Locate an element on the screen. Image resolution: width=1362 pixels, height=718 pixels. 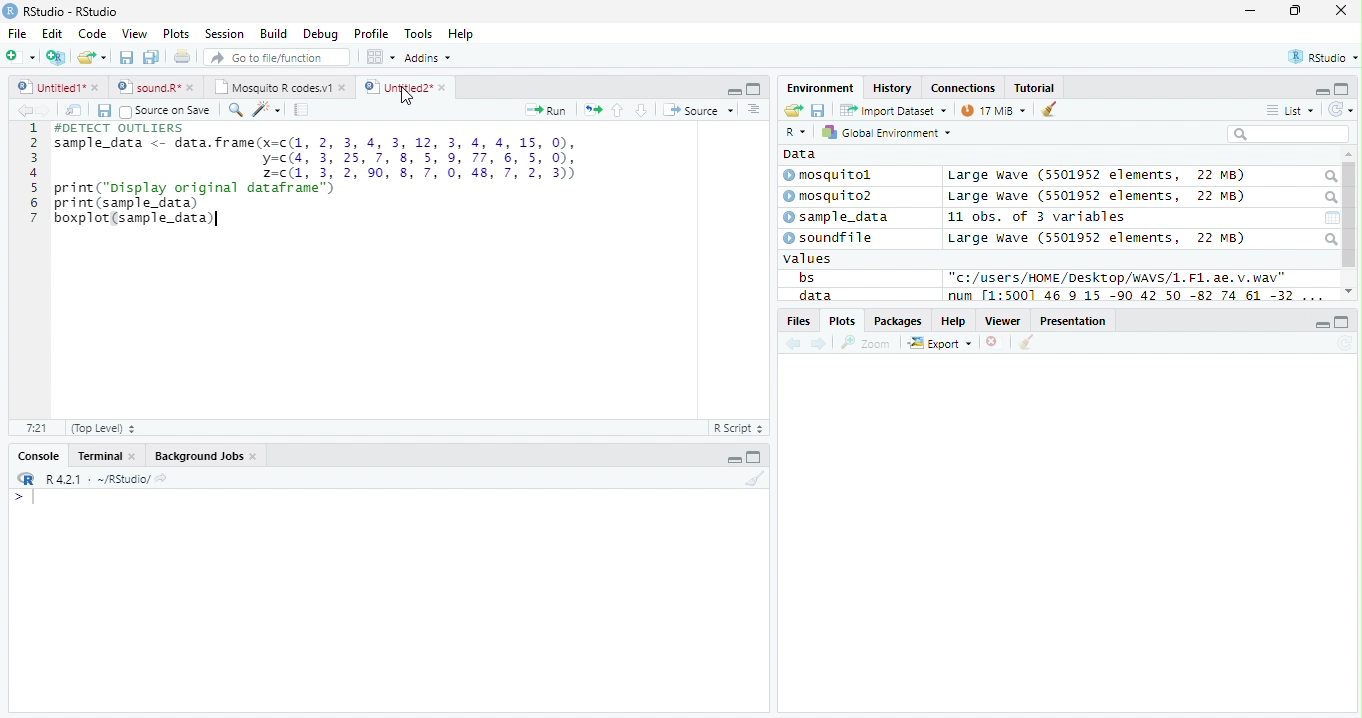
Save all the open documents is located at coordinates (151, 58).